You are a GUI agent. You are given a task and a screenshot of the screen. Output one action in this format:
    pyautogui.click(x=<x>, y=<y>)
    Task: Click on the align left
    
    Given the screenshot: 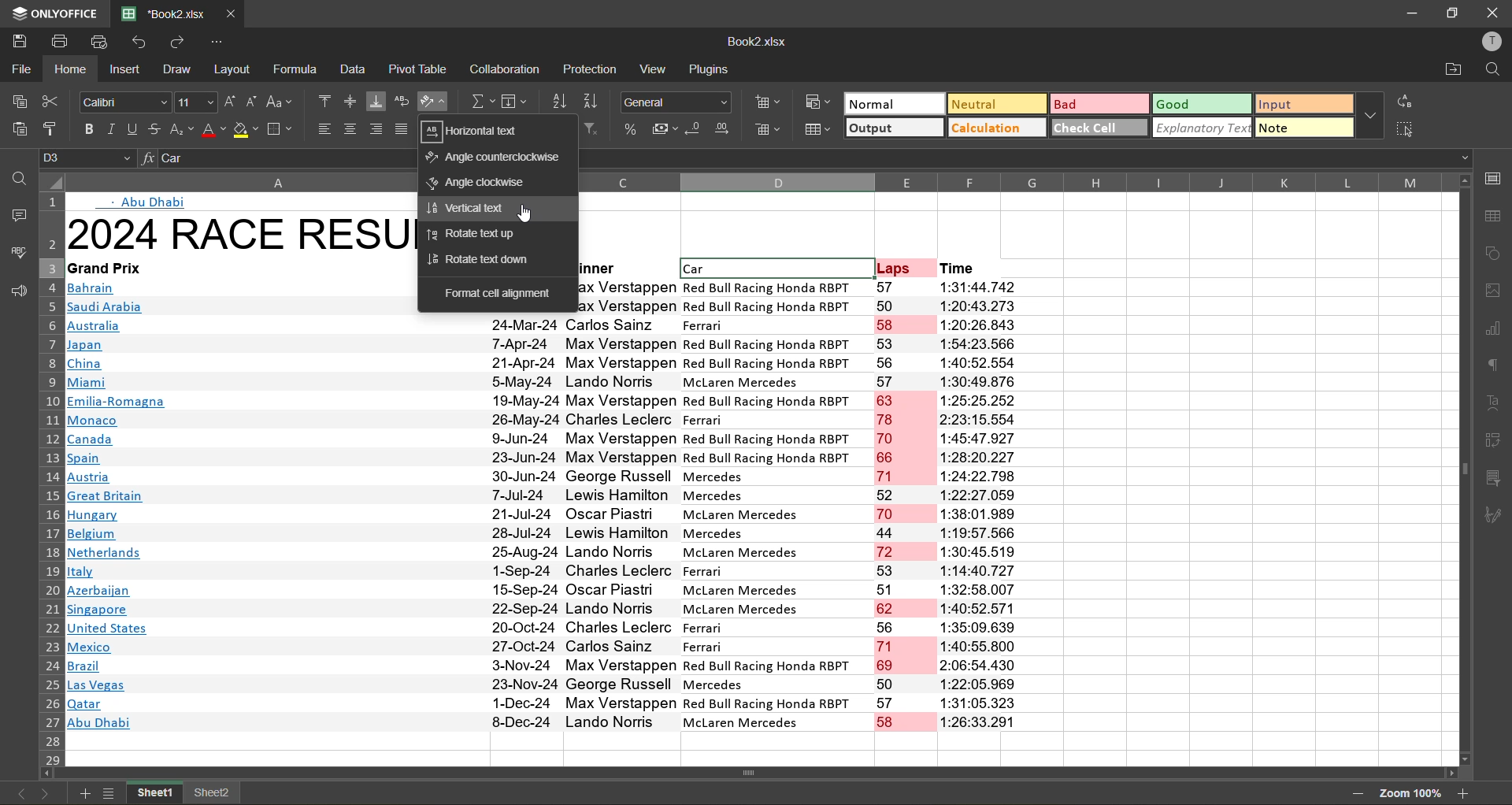 What is the action you would take?
    pyautogui.click(x=325, y=128)
    